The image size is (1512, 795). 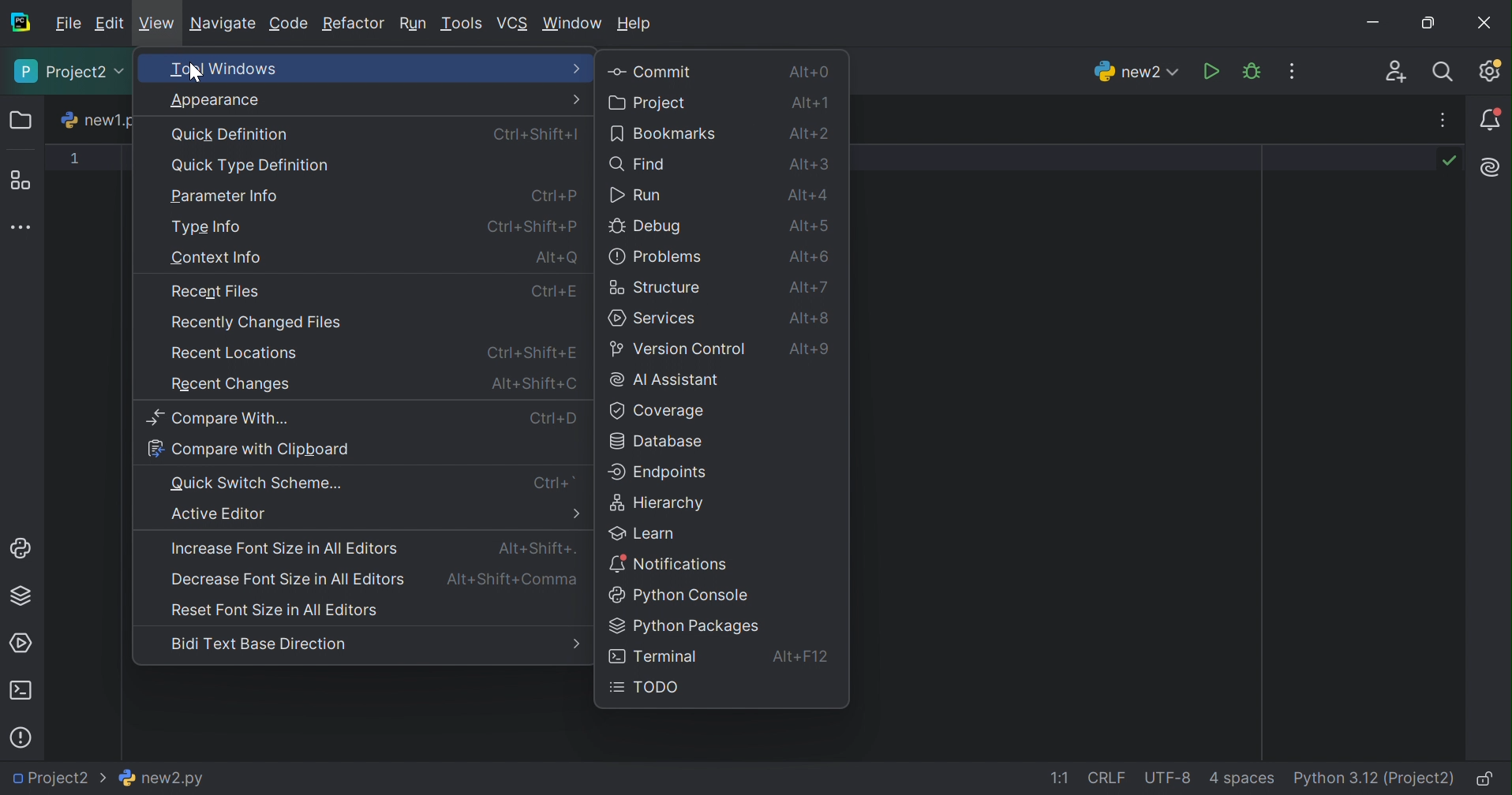 What do you see at coordinates (805, 194) in the screenshot?
I see `Alt+4` at bounding box center [805, 194].